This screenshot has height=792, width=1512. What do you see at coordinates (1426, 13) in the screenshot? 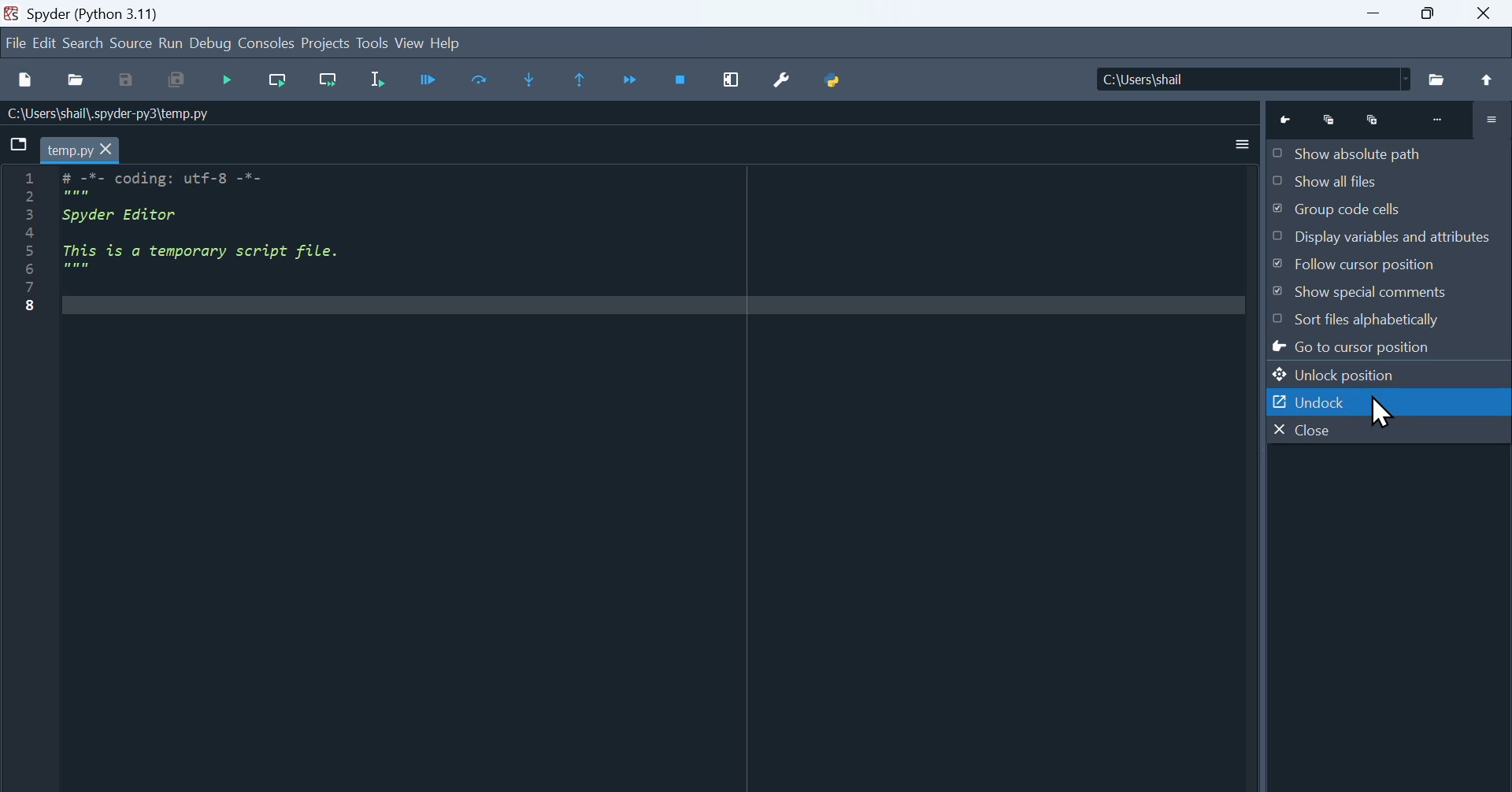
I see `Maximize` at bounding box center [1426, 13].